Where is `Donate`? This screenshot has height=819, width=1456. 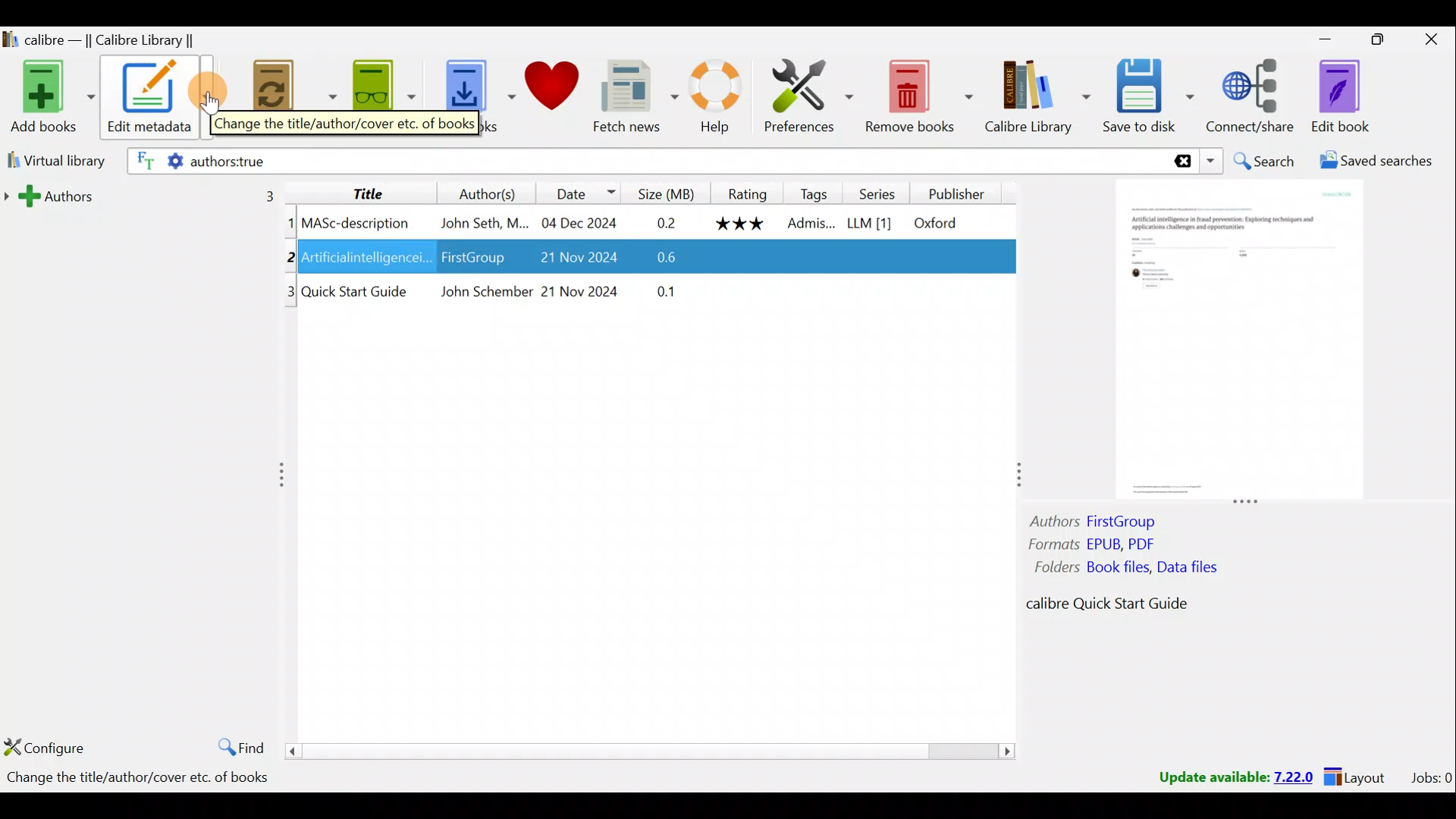 Donate is located at coordinates (545, 93).